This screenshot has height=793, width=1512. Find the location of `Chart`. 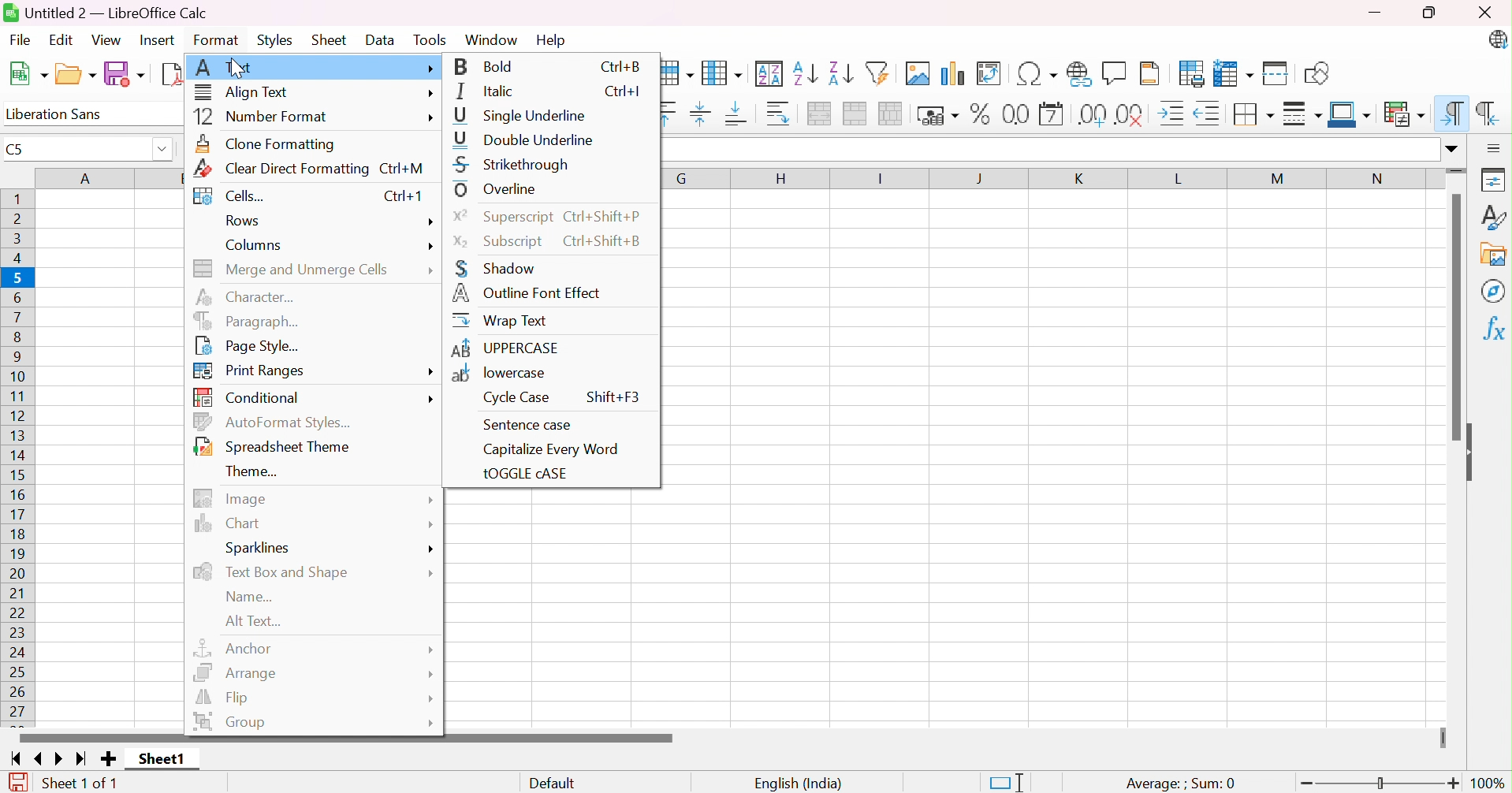

Chart is located at coordinates (231, 523).